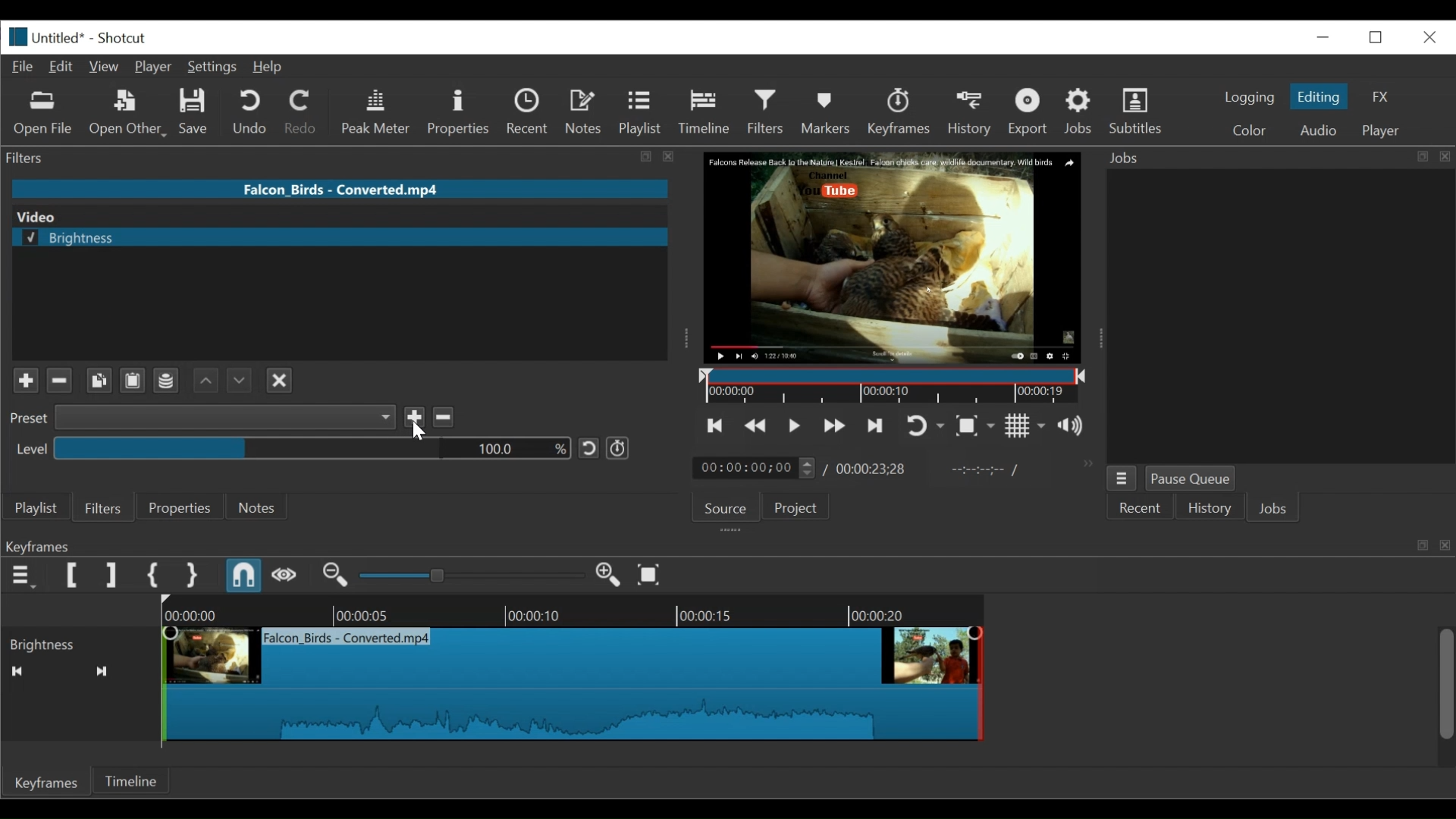  What do you see at coordinates (416, 419) in the screenshot?
I see `Save ` at bounding box center [416, 419].